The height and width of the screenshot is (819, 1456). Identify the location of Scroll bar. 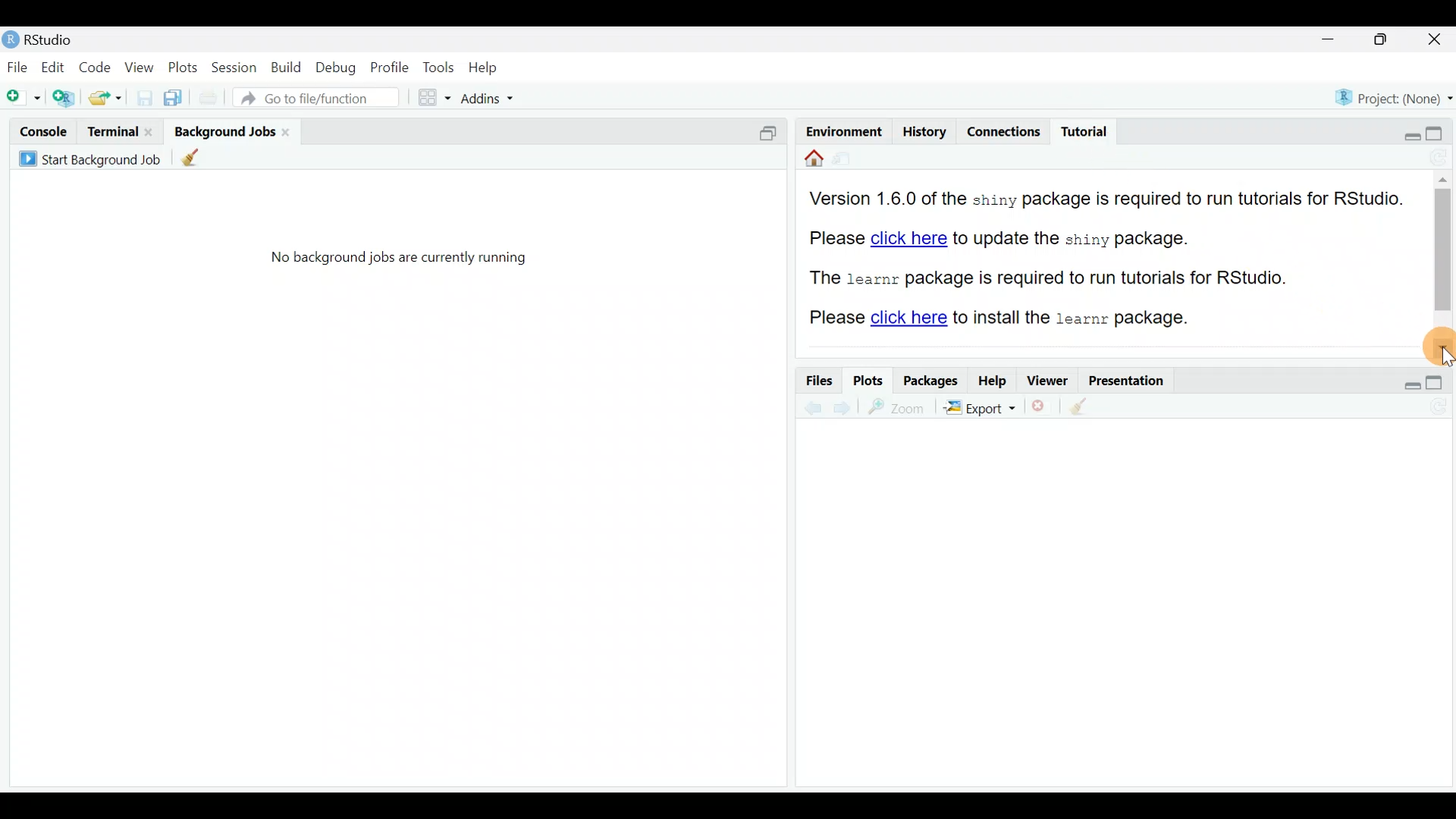
(1445, 242).